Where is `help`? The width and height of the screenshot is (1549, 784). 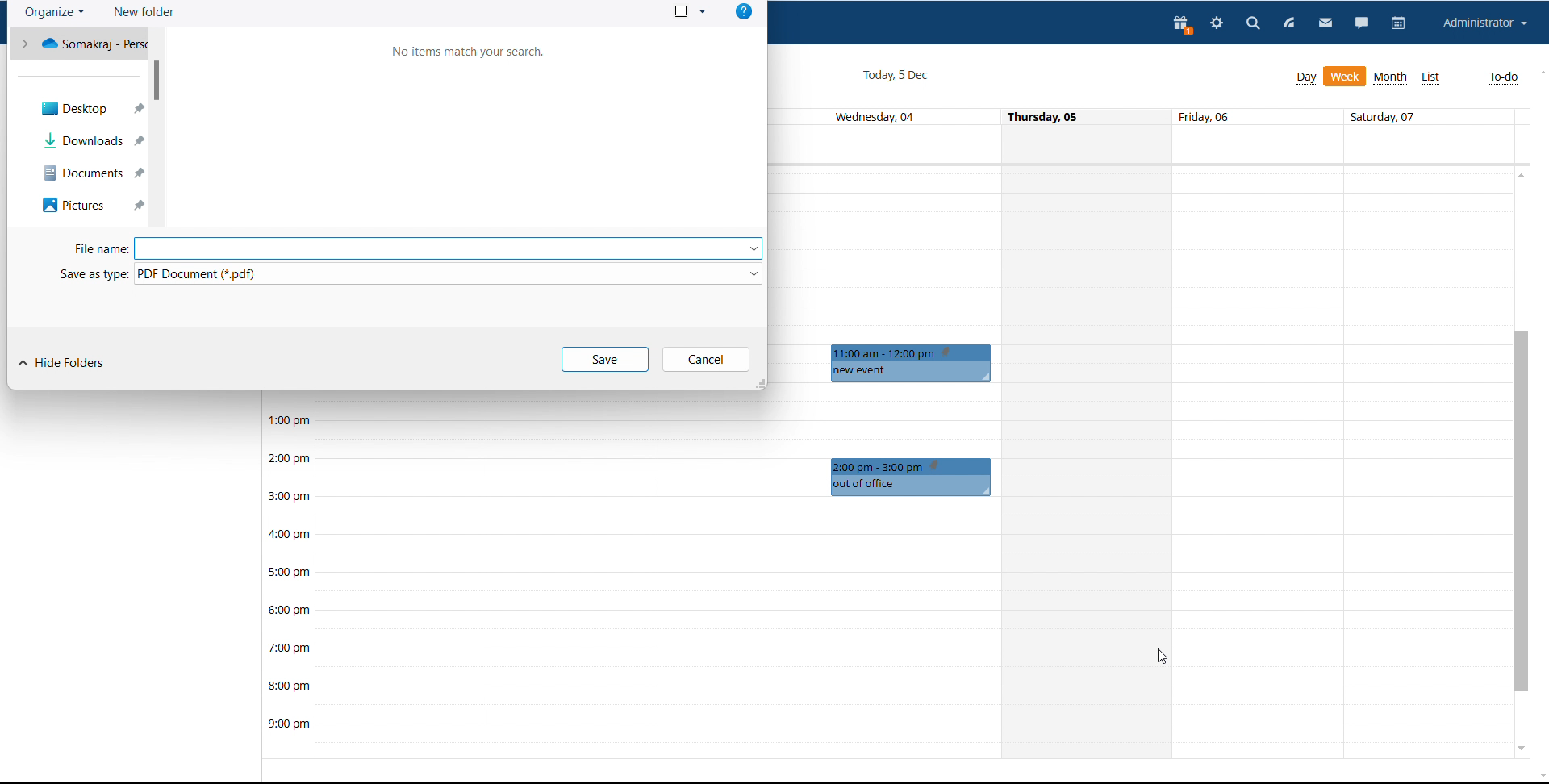 help is located at coordinates (743, 11).